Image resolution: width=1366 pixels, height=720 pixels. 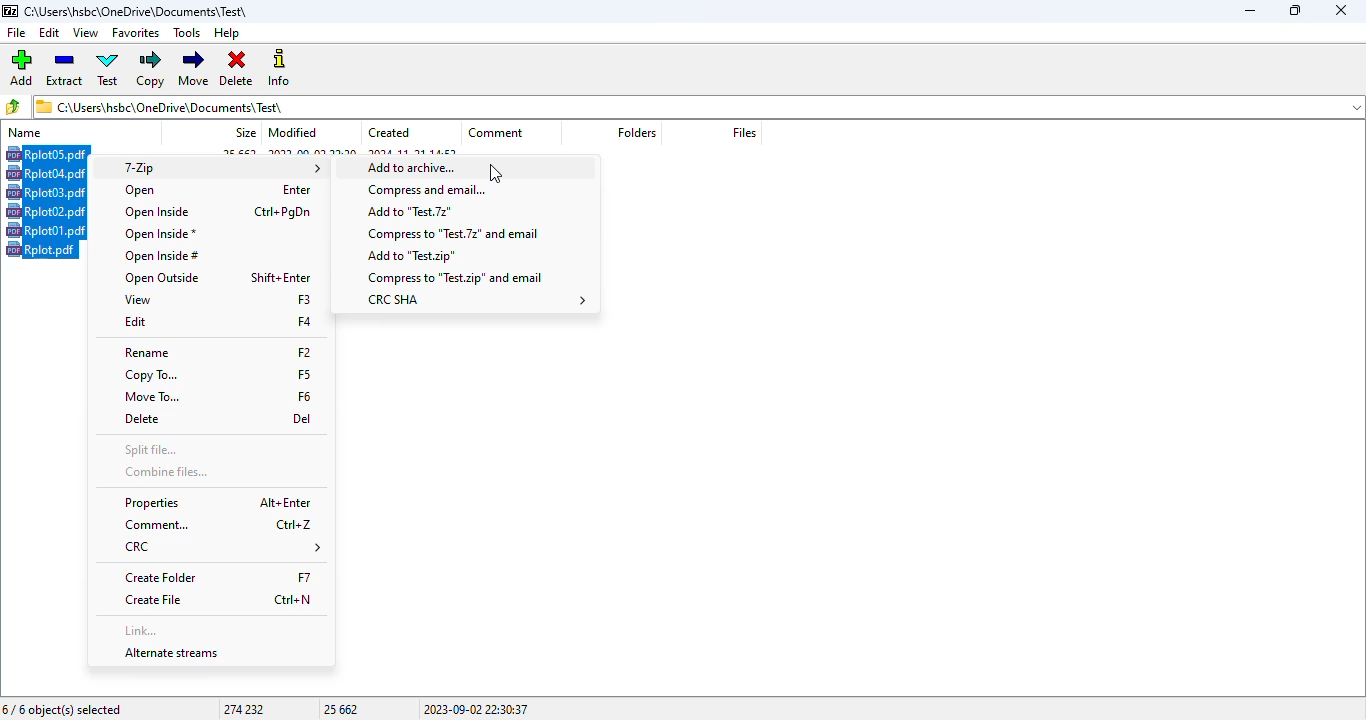 What do you see at coordinates (108, 69) in the screenshot?
I see `test` at bounding box center [108, 69].